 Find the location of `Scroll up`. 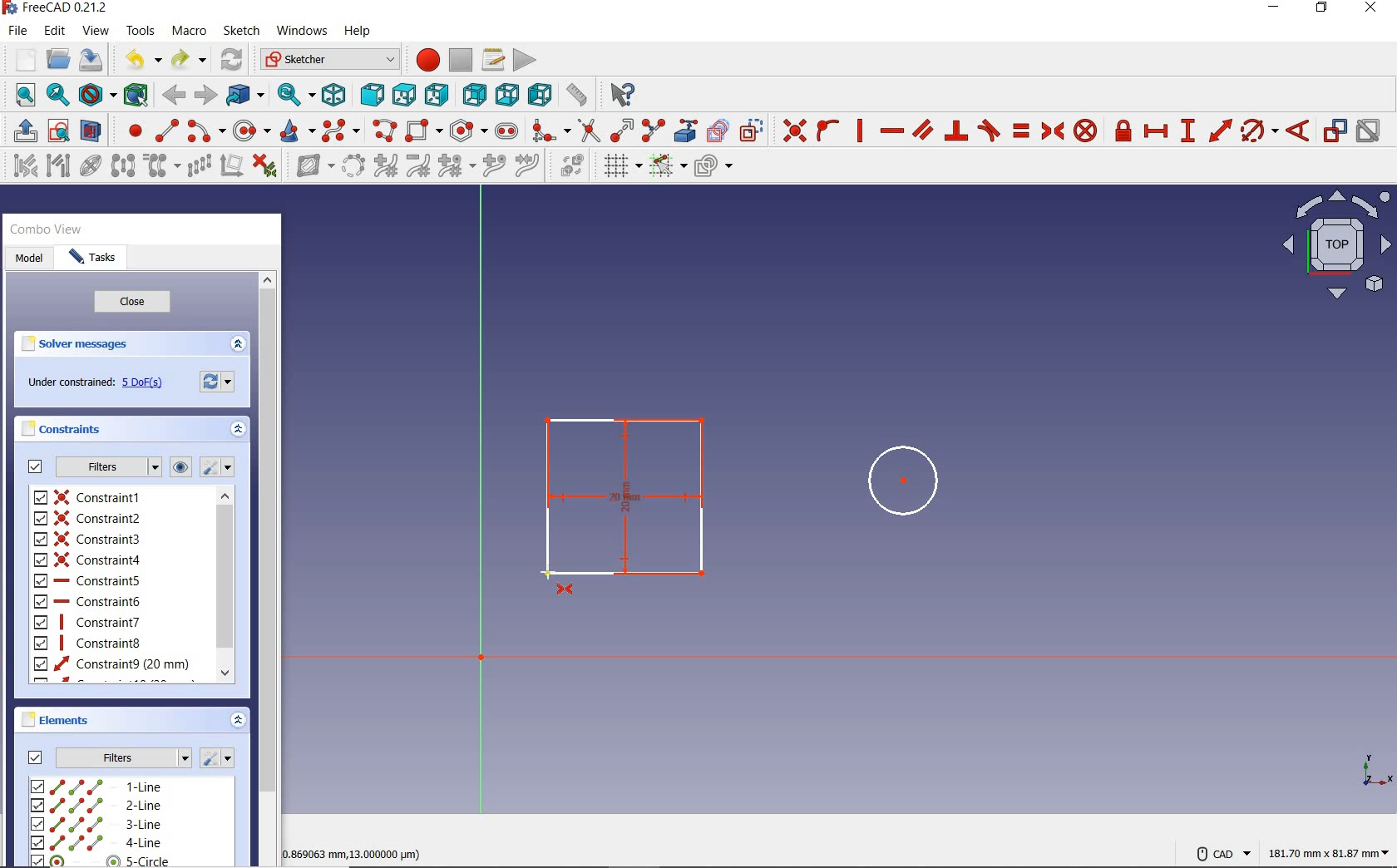

Scroll up is located at coordinates (223, 496).